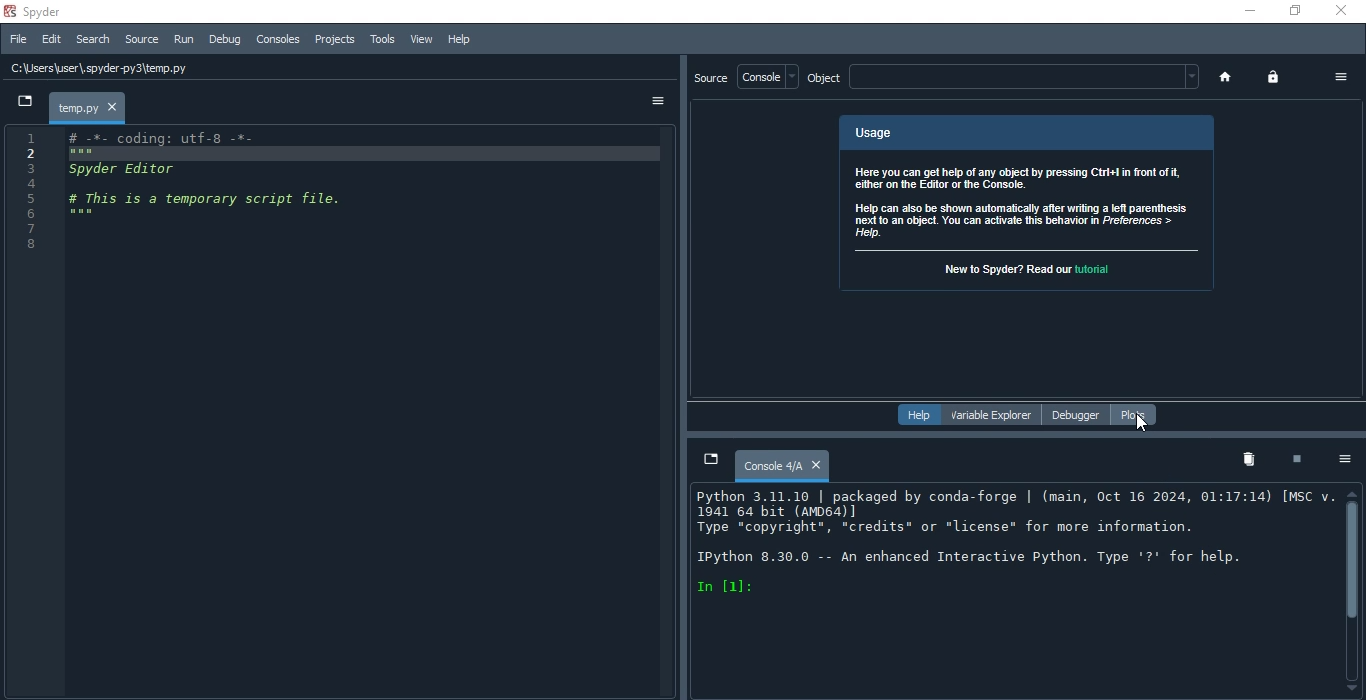 This screenshot has height=700, width=1366. What do you see at coordinates (460, 41) in the screenshot?
I see `Help` at bounding box center [460, 41].